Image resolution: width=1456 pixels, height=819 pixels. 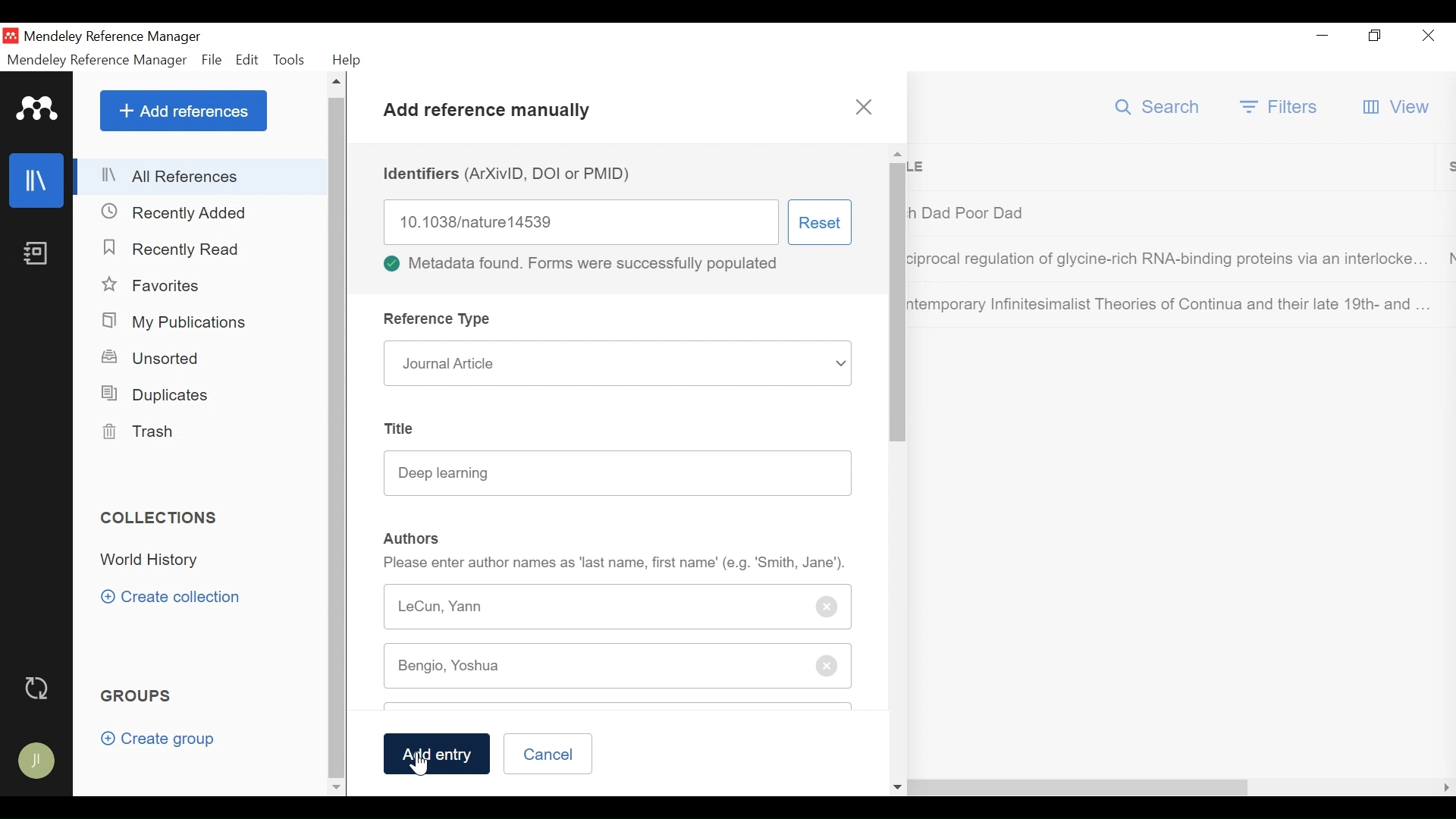 I want to click on Recently Closed, so click(x=176, y=251).